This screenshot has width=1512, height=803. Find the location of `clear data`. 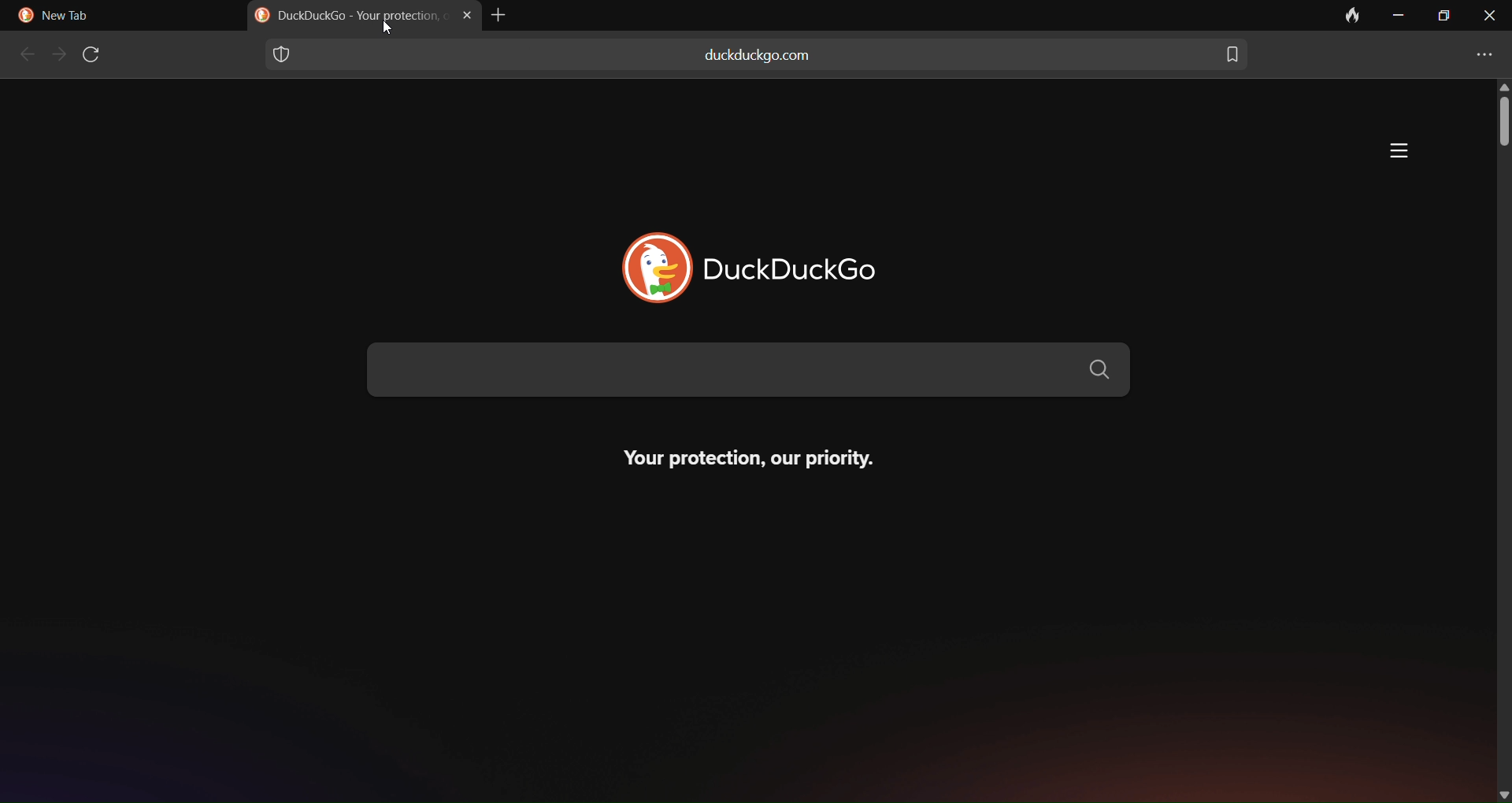

clear data is located at coordinates (1336, 17).